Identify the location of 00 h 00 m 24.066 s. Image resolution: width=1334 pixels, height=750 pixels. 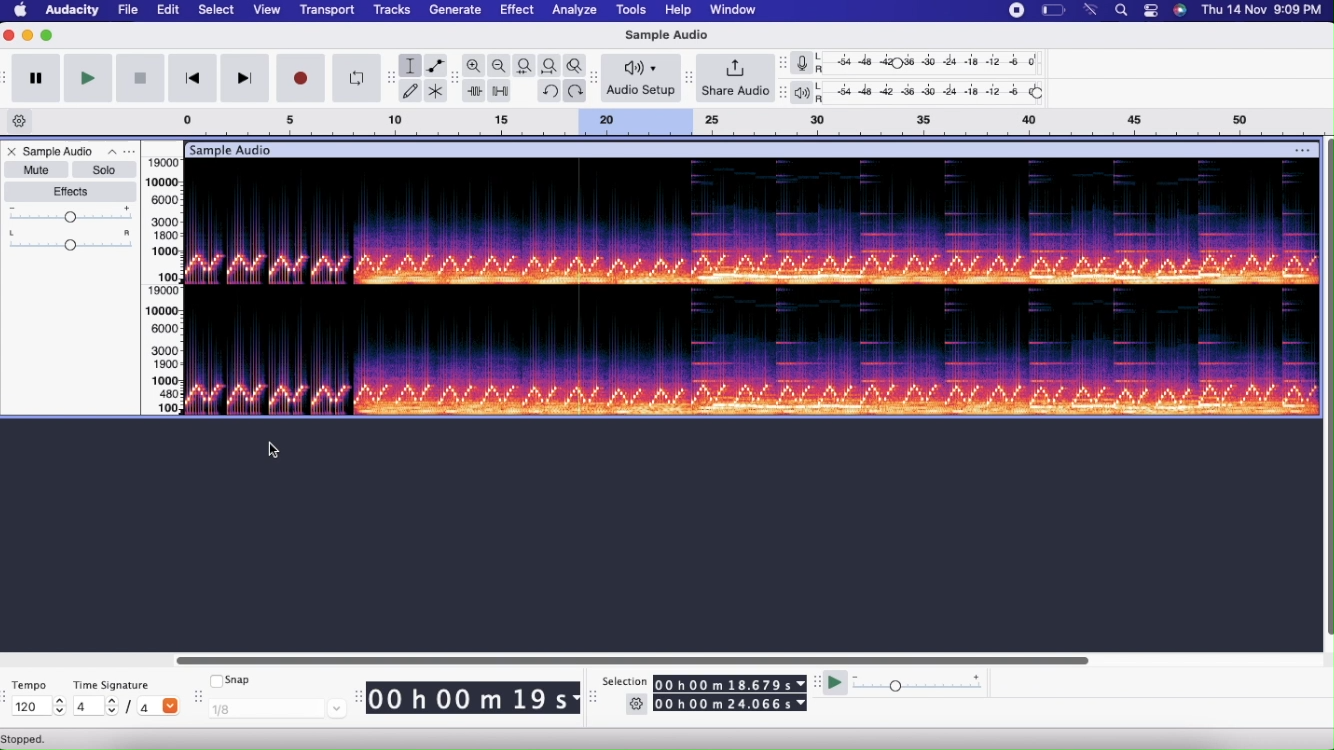
(731, 702).